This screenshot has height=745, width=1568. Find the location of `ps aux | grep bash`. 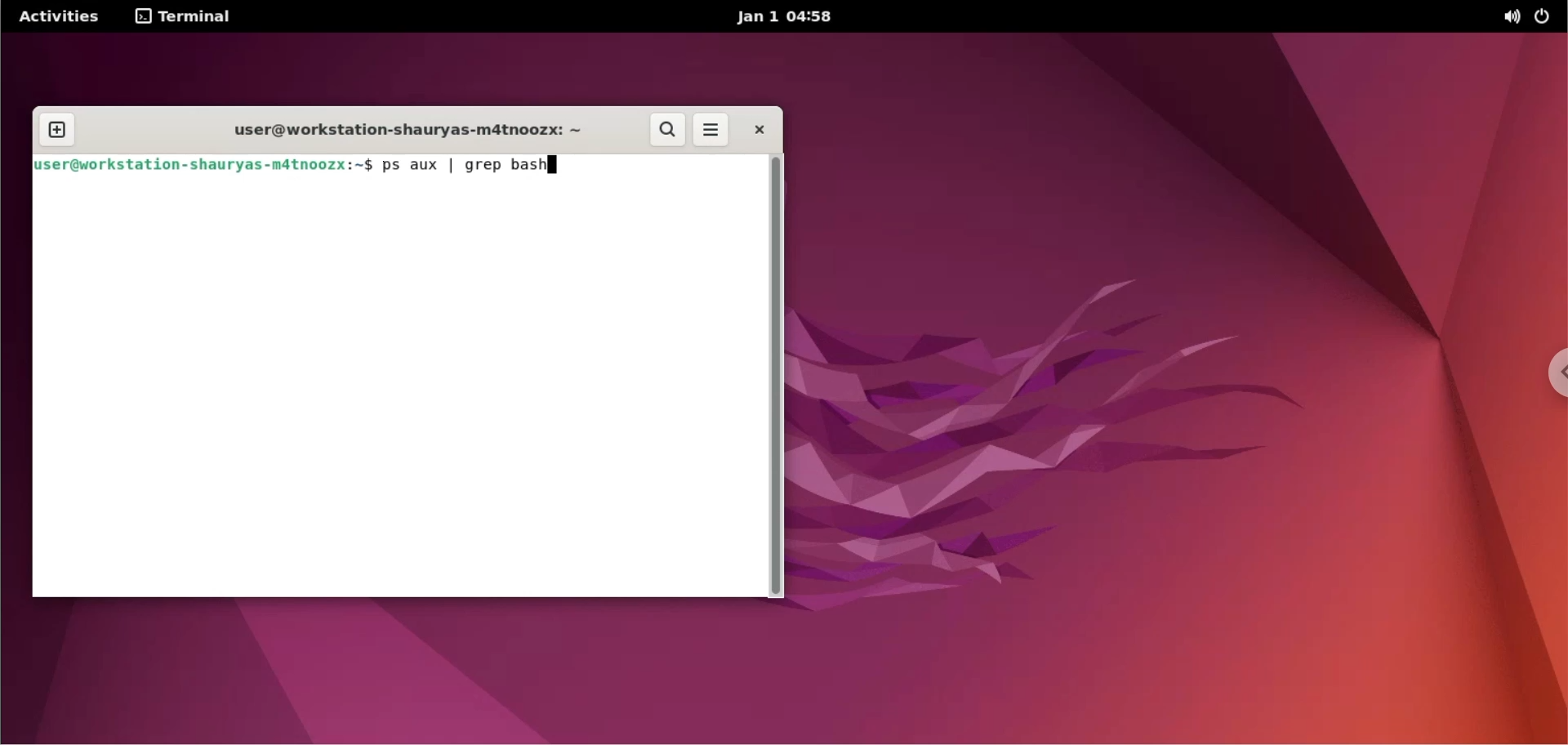

ps aux | grep bash is located at coordinates (472, 163).